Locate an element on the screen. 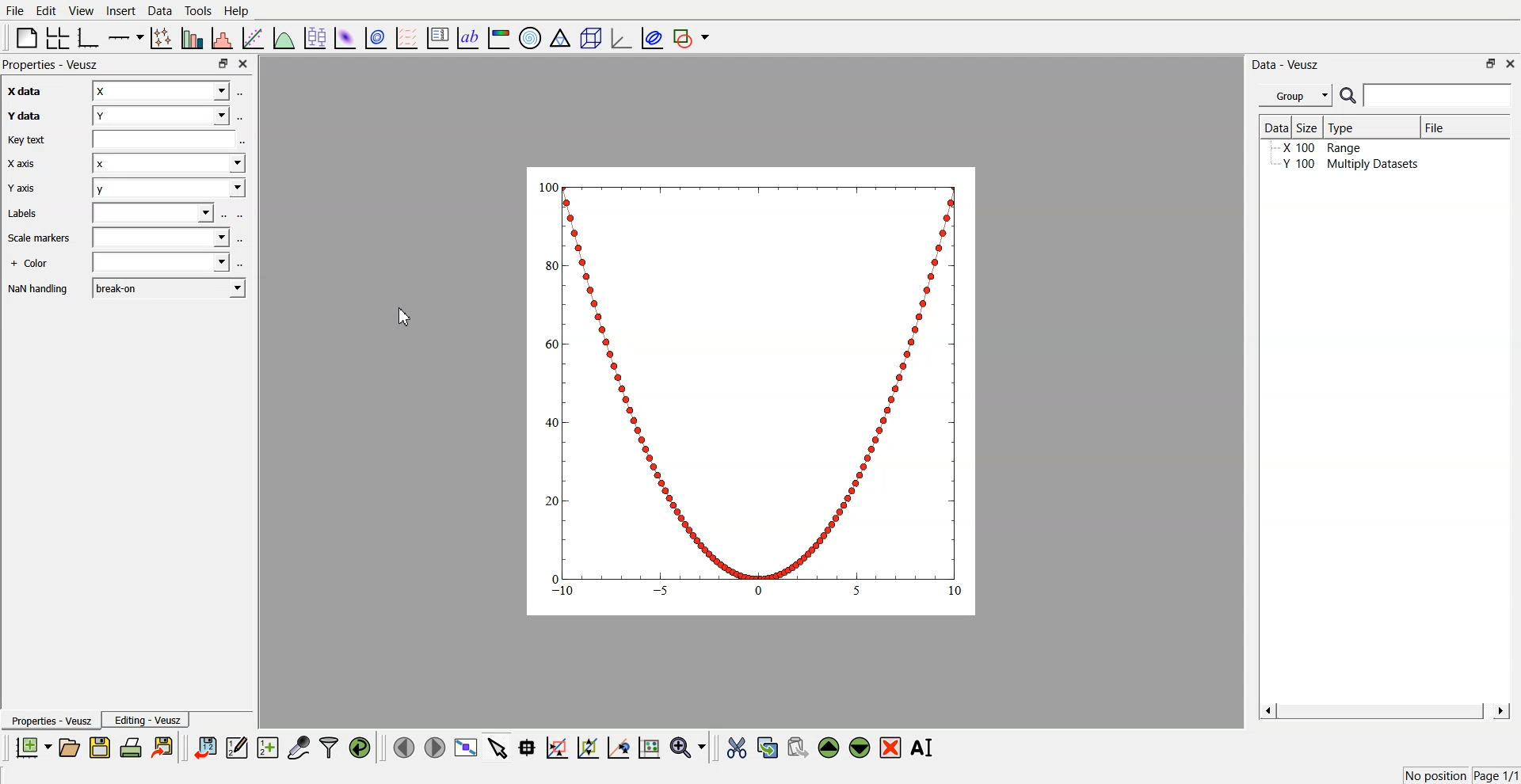 The width and height of the screenshot is (1521, 784). more options is located at coordinates (249, 140).